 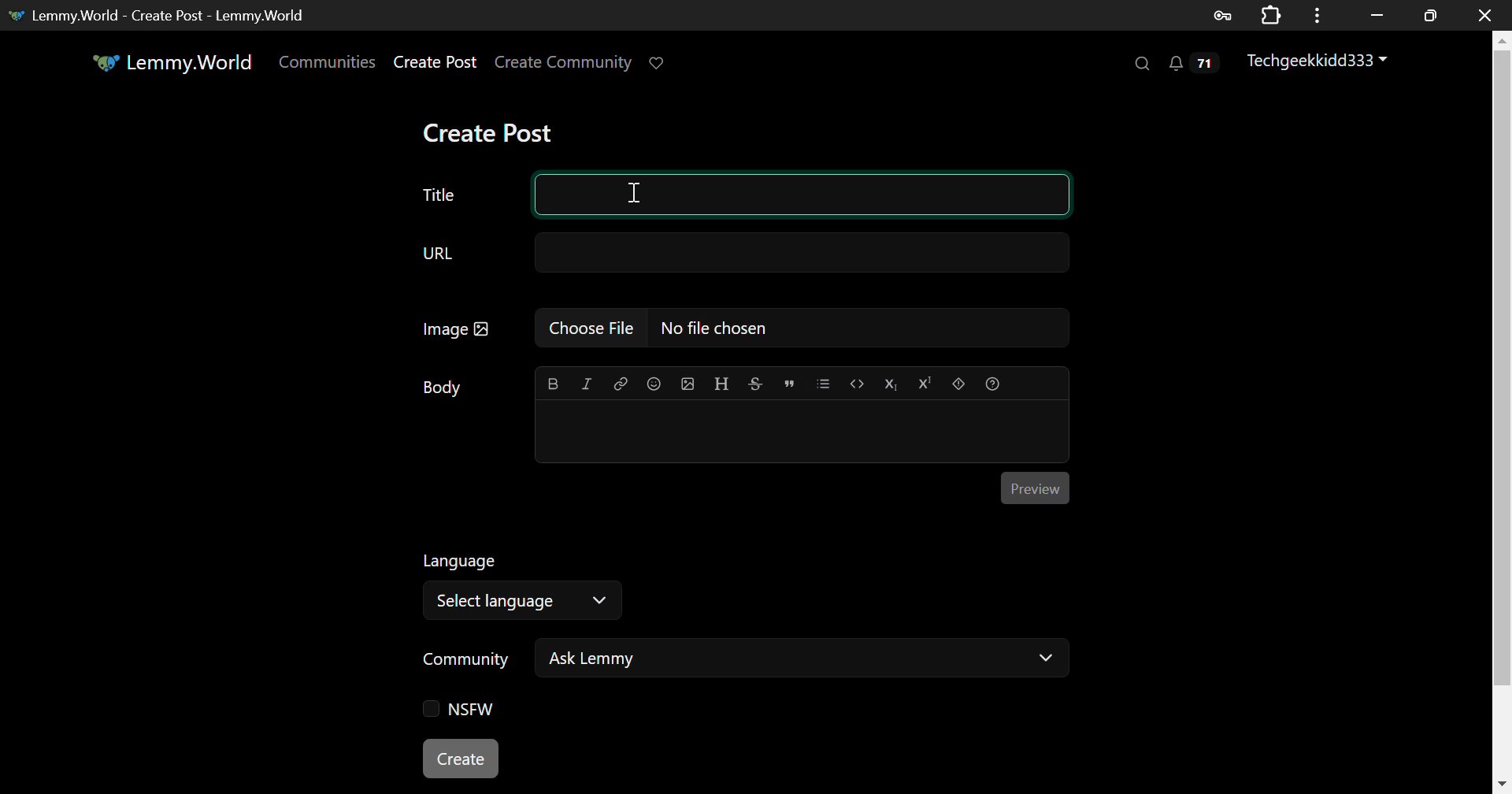 I want to click on Close Window, so click(x=1485, y=13).